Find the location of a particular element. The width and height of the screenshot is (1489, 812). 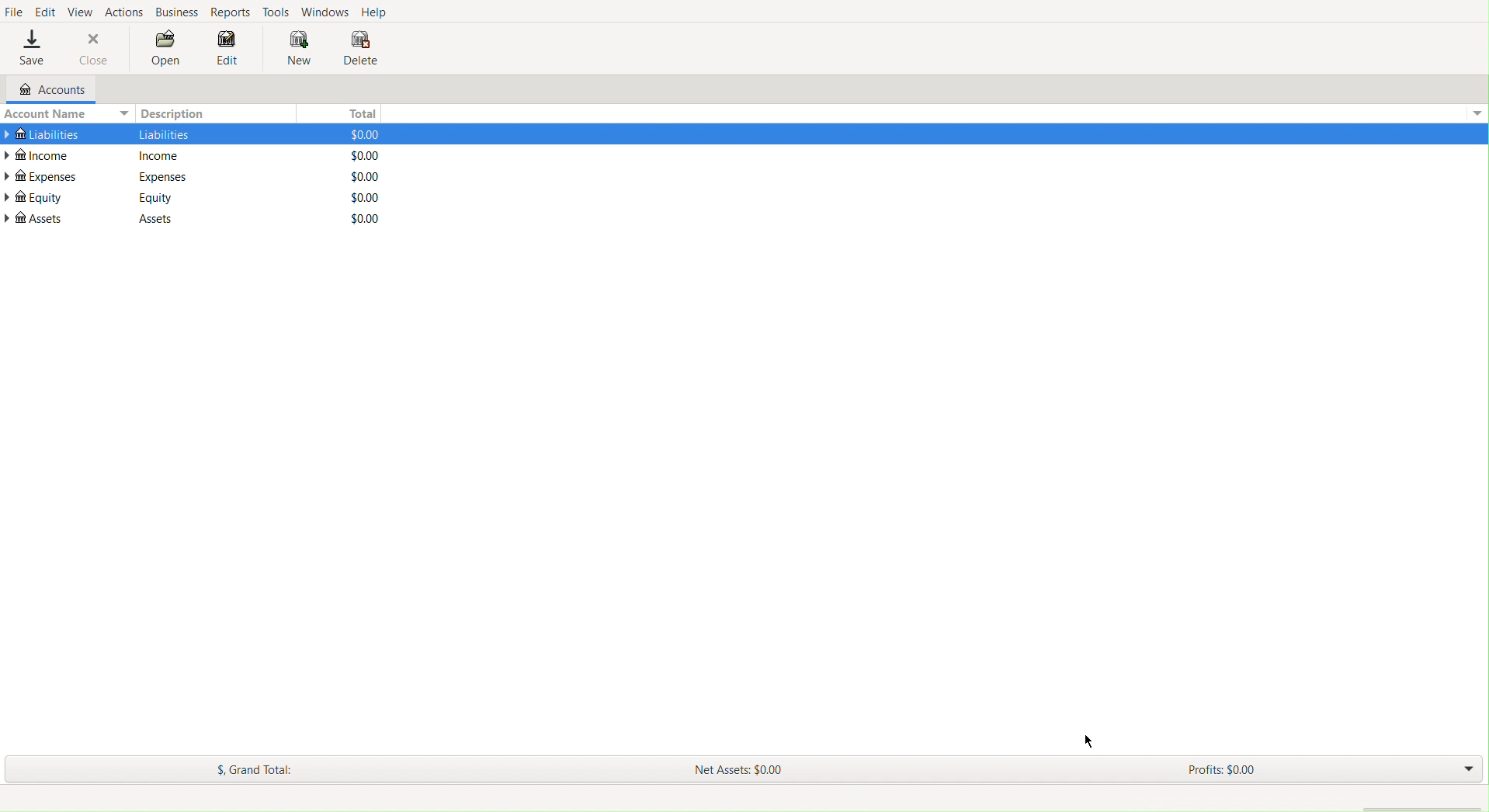

Edit is located at coordinates (227, 52).